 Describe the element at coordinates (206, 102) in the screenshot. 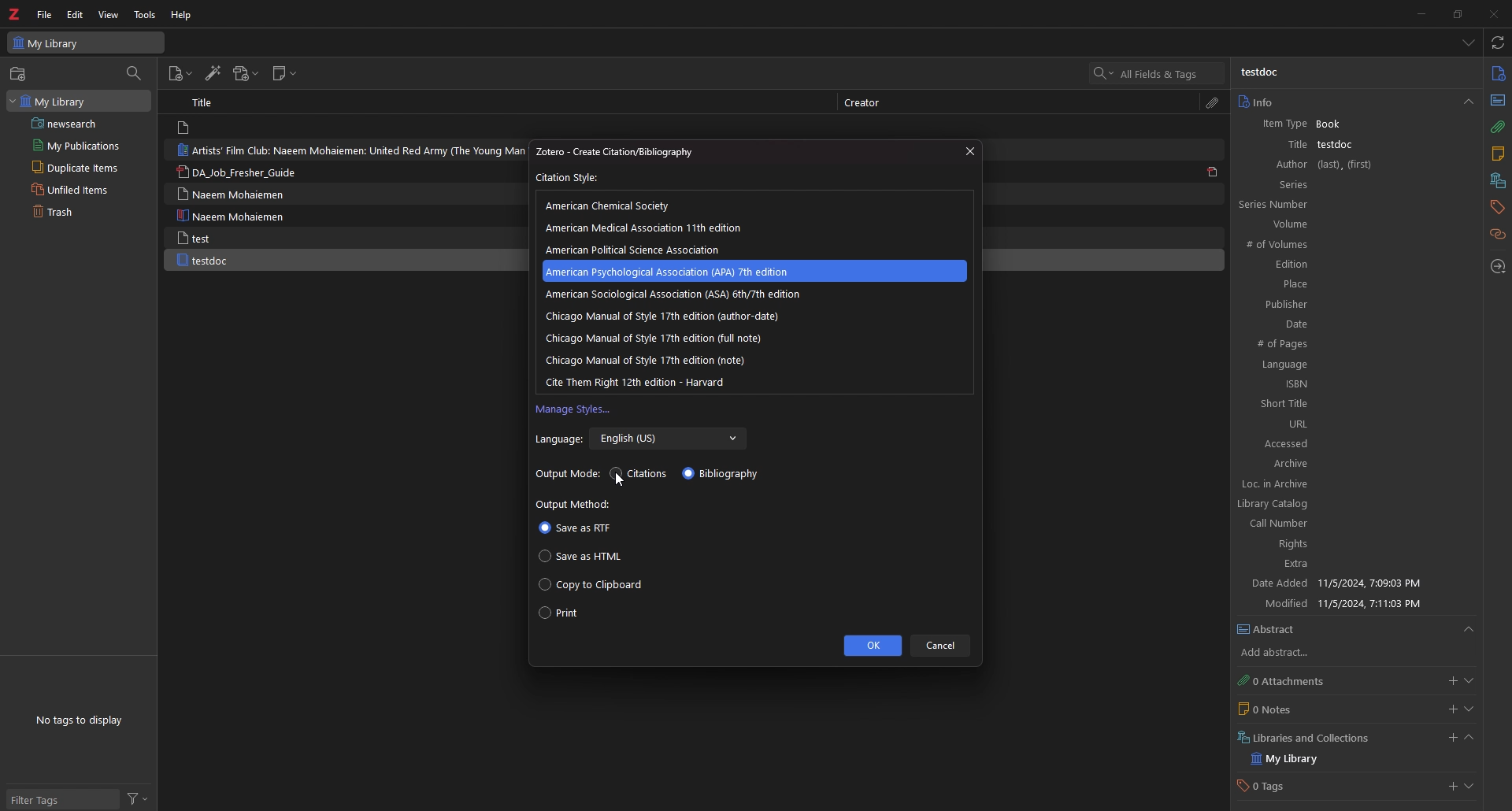

I see `Title` at that location.